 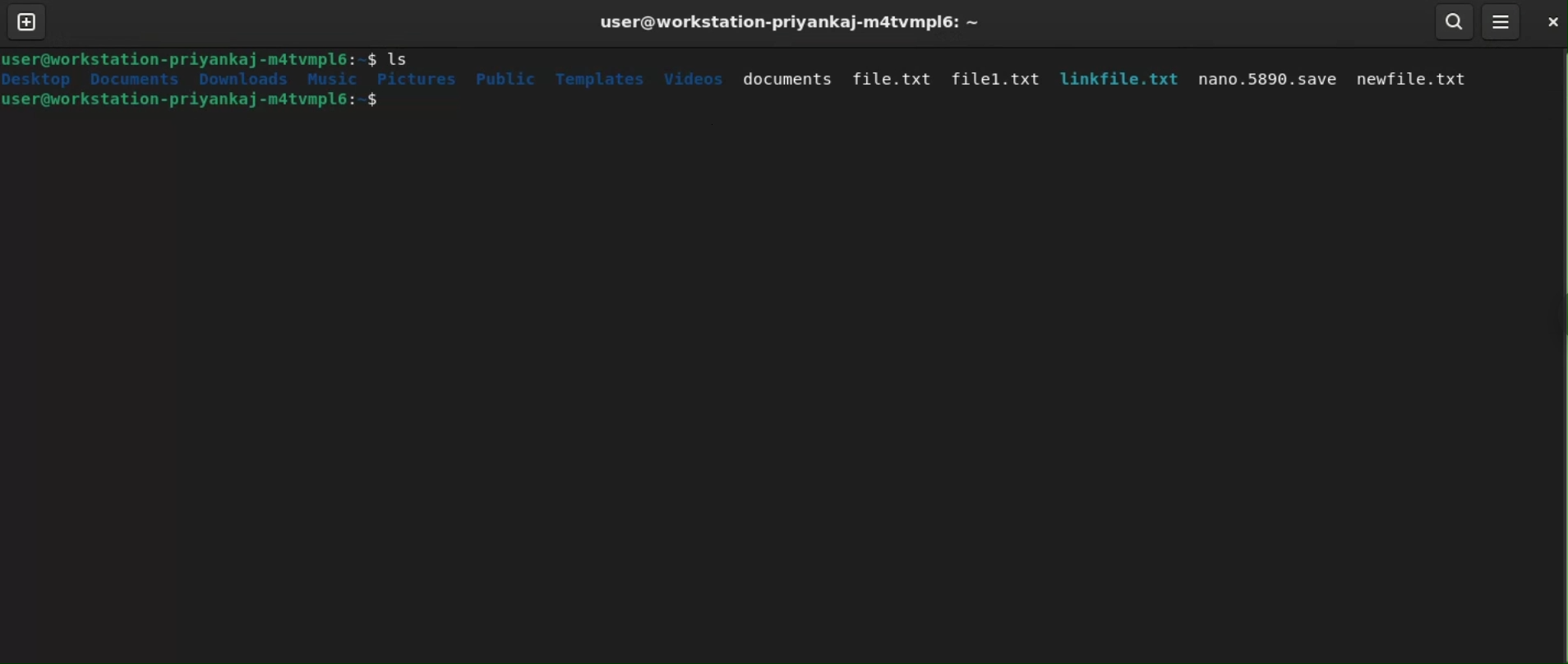 I want to click on ls, so click(x=402, y=59).